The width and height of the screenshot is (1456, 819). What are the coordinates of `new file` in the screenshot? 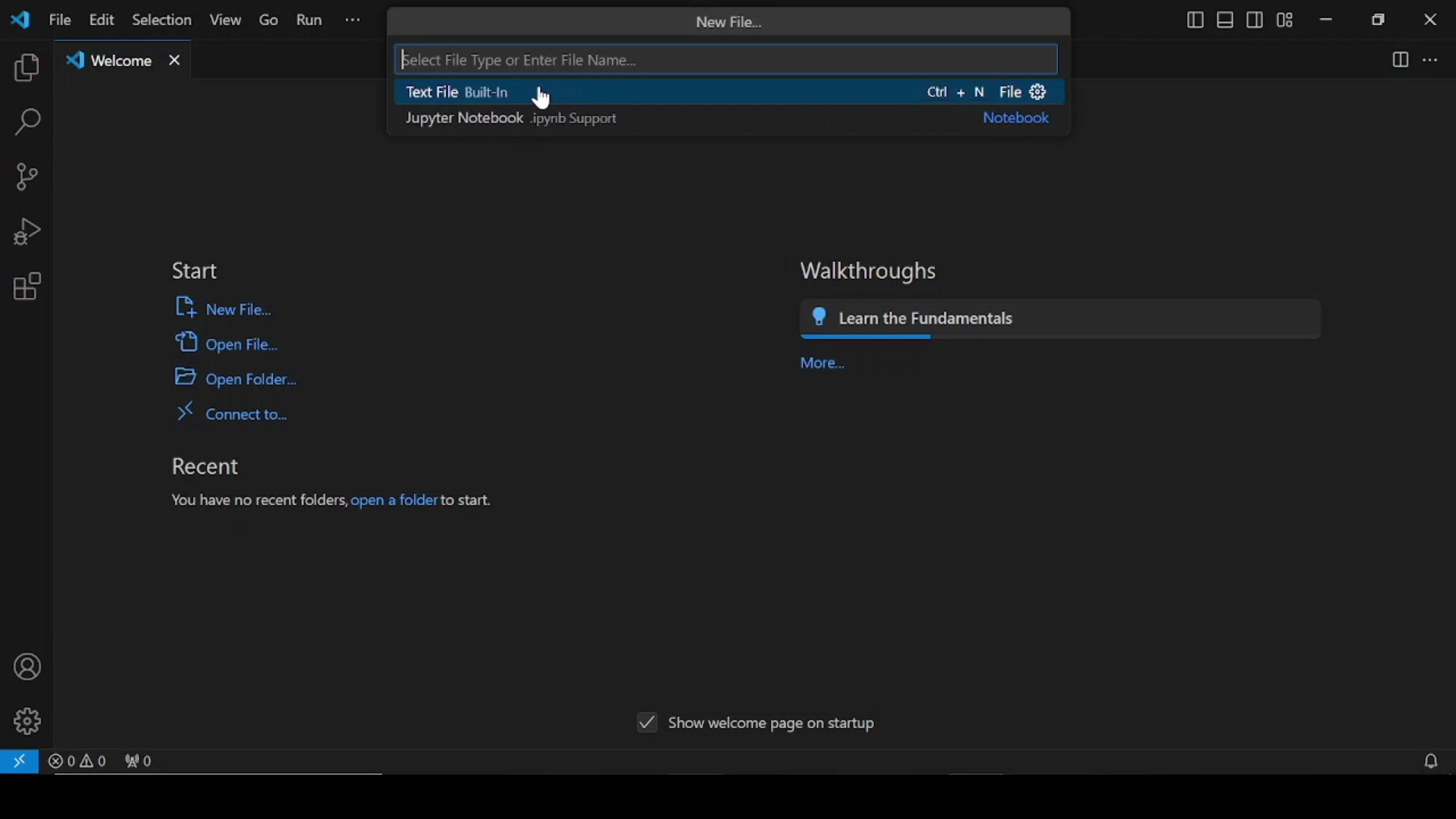 It's located at (218, 306).